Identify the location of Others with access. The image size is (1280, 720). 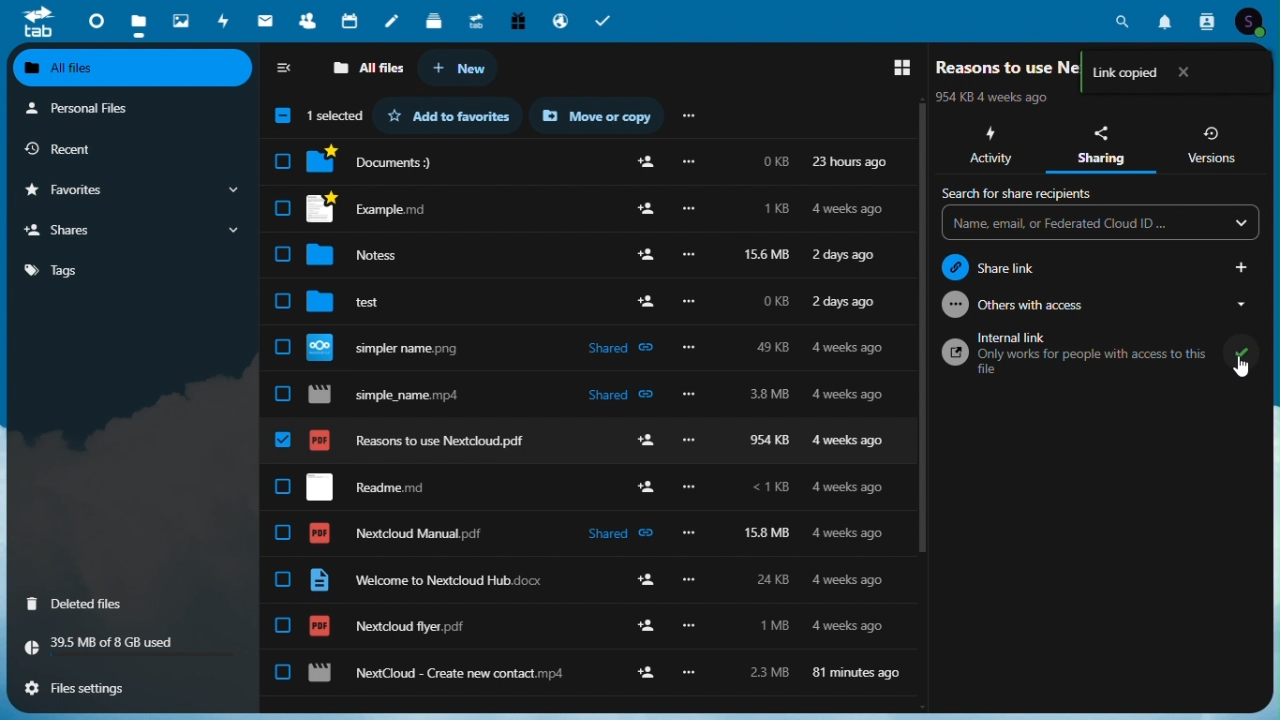
(1098, 306).